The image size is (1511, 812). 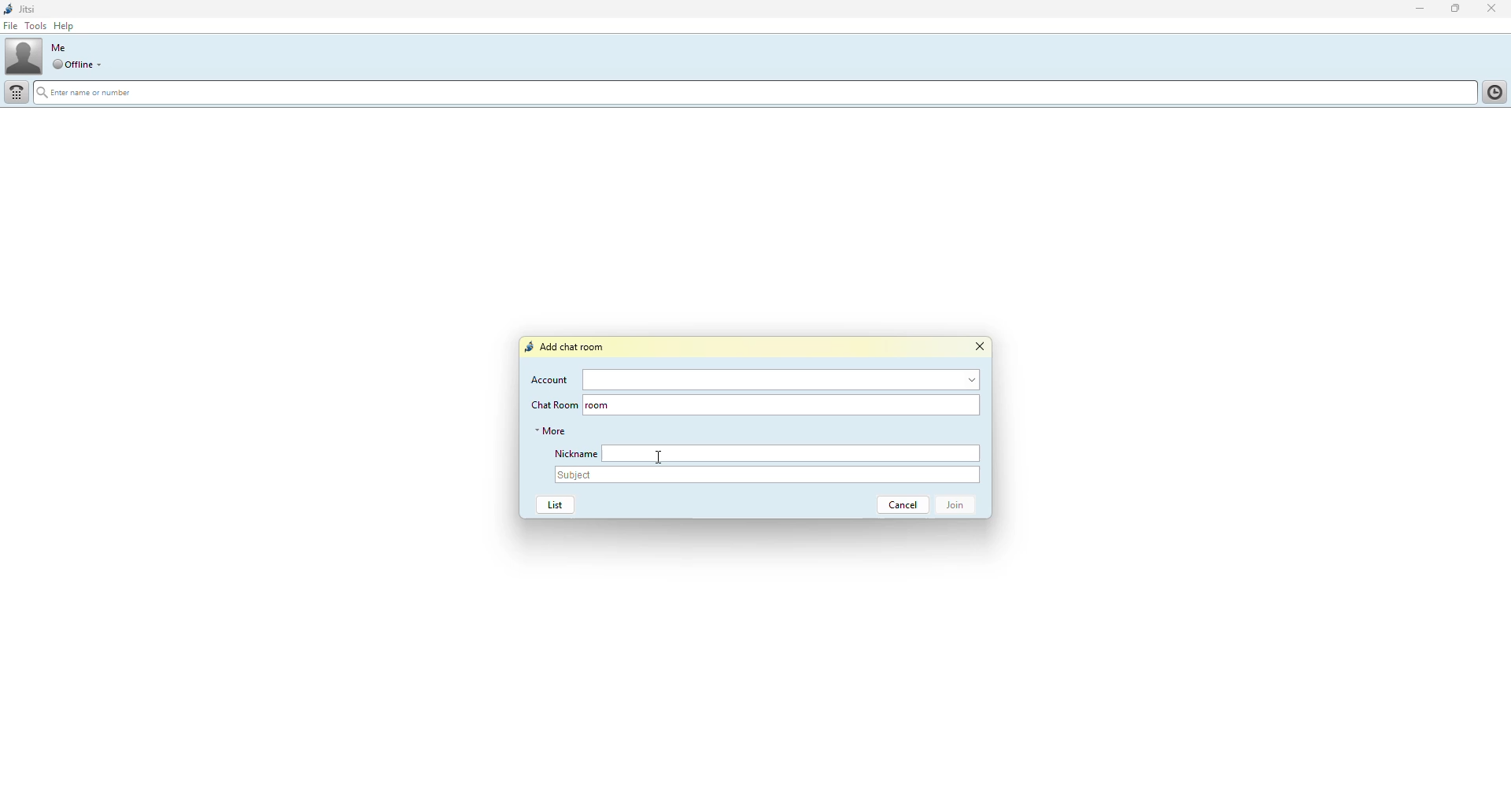 I want to click on History, so click(x=1492, y=90).